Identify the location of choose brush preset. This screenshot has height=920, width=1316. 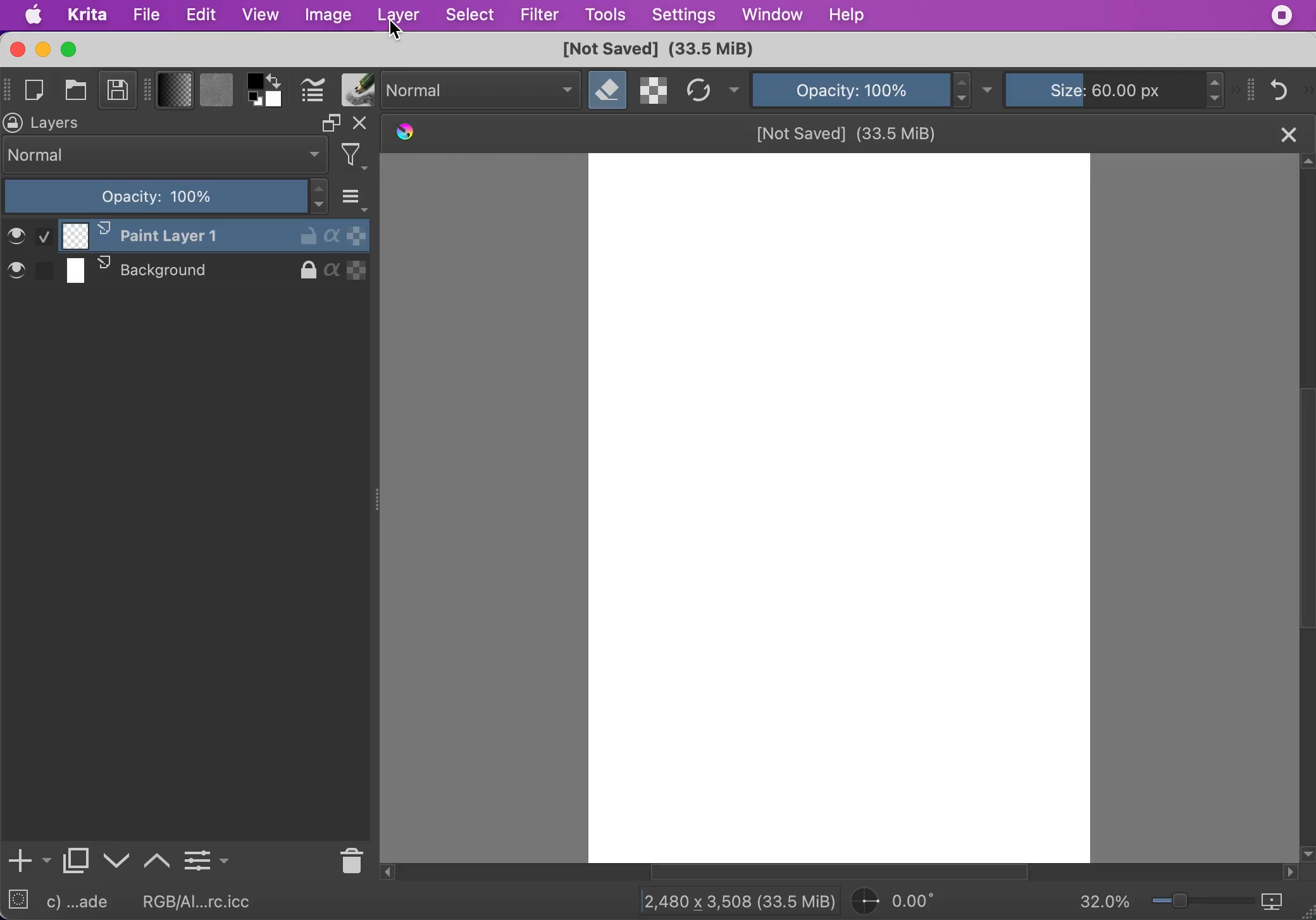
(356, 90).